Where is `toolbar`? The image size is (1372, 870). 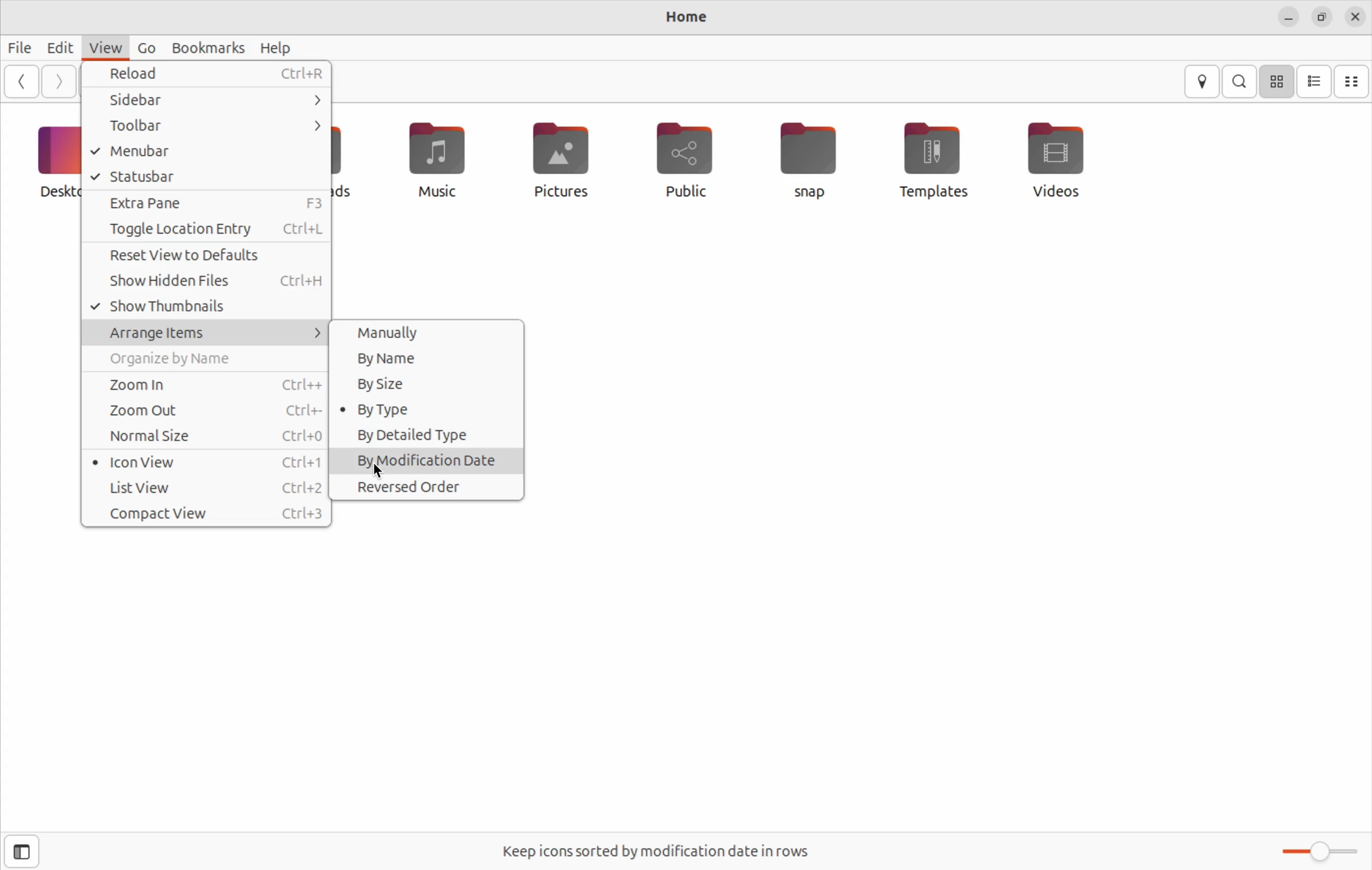
toolbar is located at coordinates (212, 125).